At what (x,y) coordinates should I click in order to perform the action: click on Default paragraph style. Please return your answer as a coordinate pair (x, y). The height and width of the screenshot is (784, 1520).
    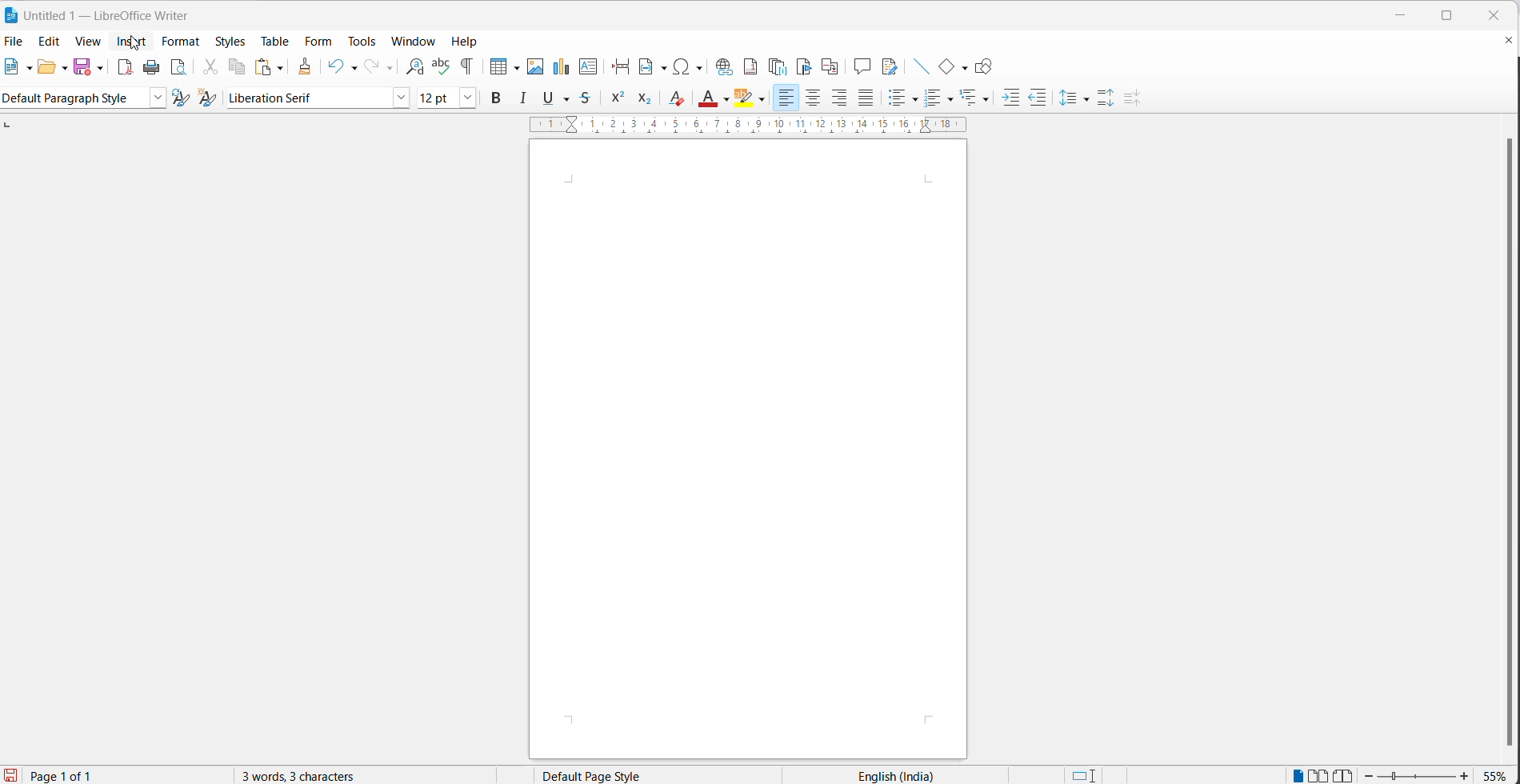
    Looking at the image, I should click on (74, 98).